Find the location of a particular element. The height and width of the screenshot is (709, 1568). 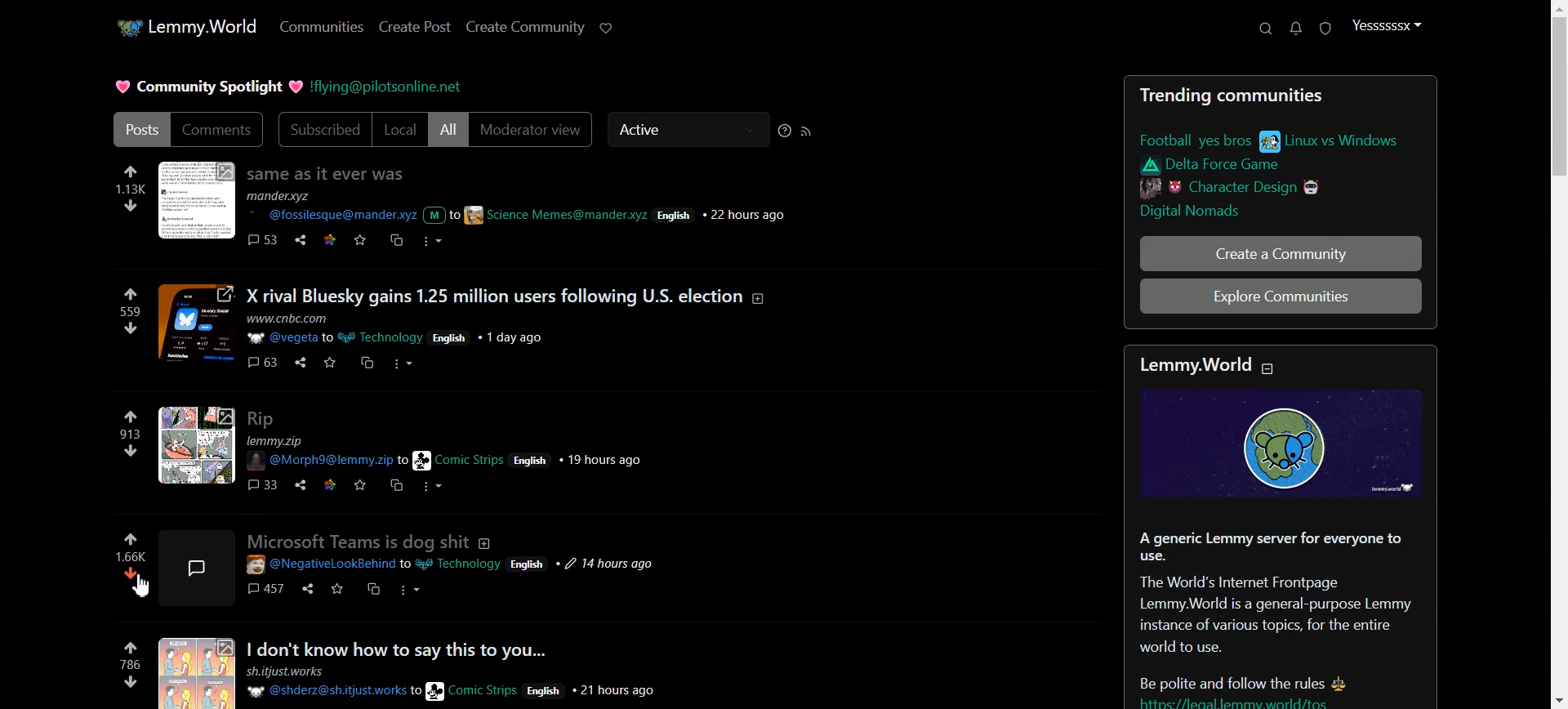

All is located at coordinates (448, 130).